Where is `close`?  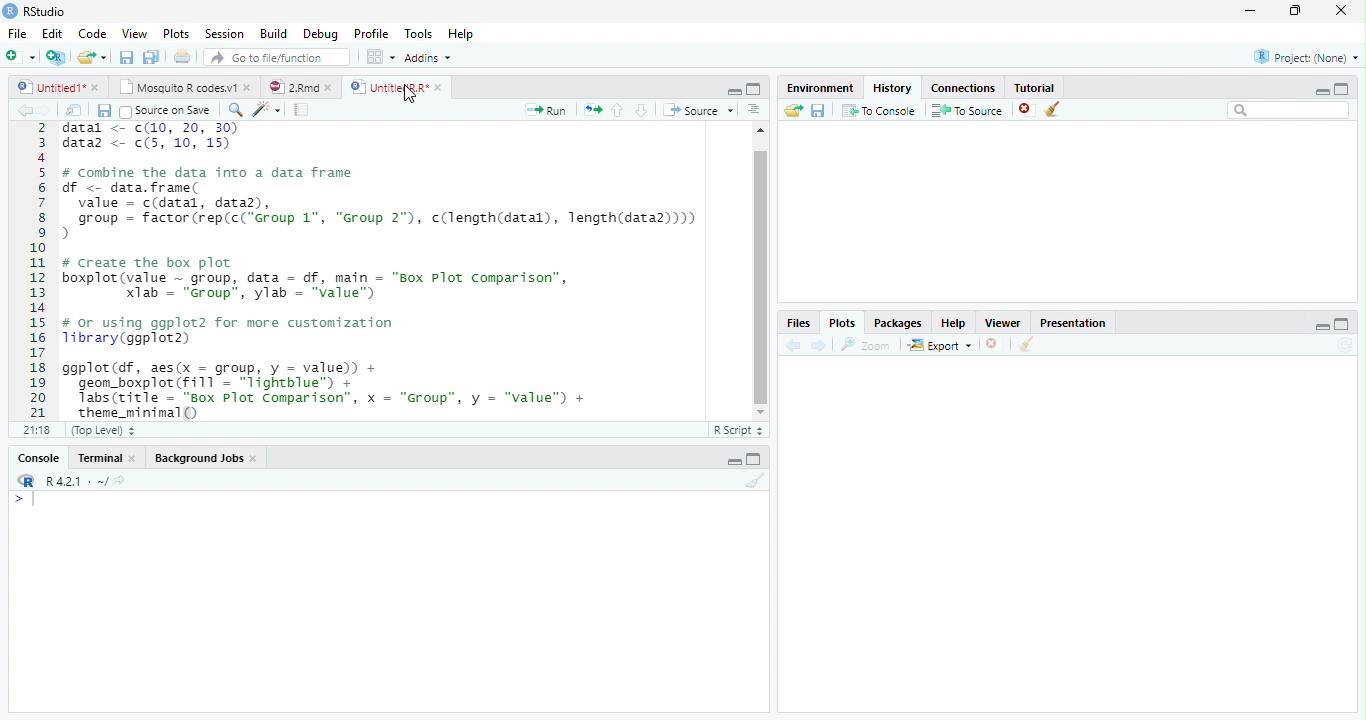 close is located at coordinates (328, 87).